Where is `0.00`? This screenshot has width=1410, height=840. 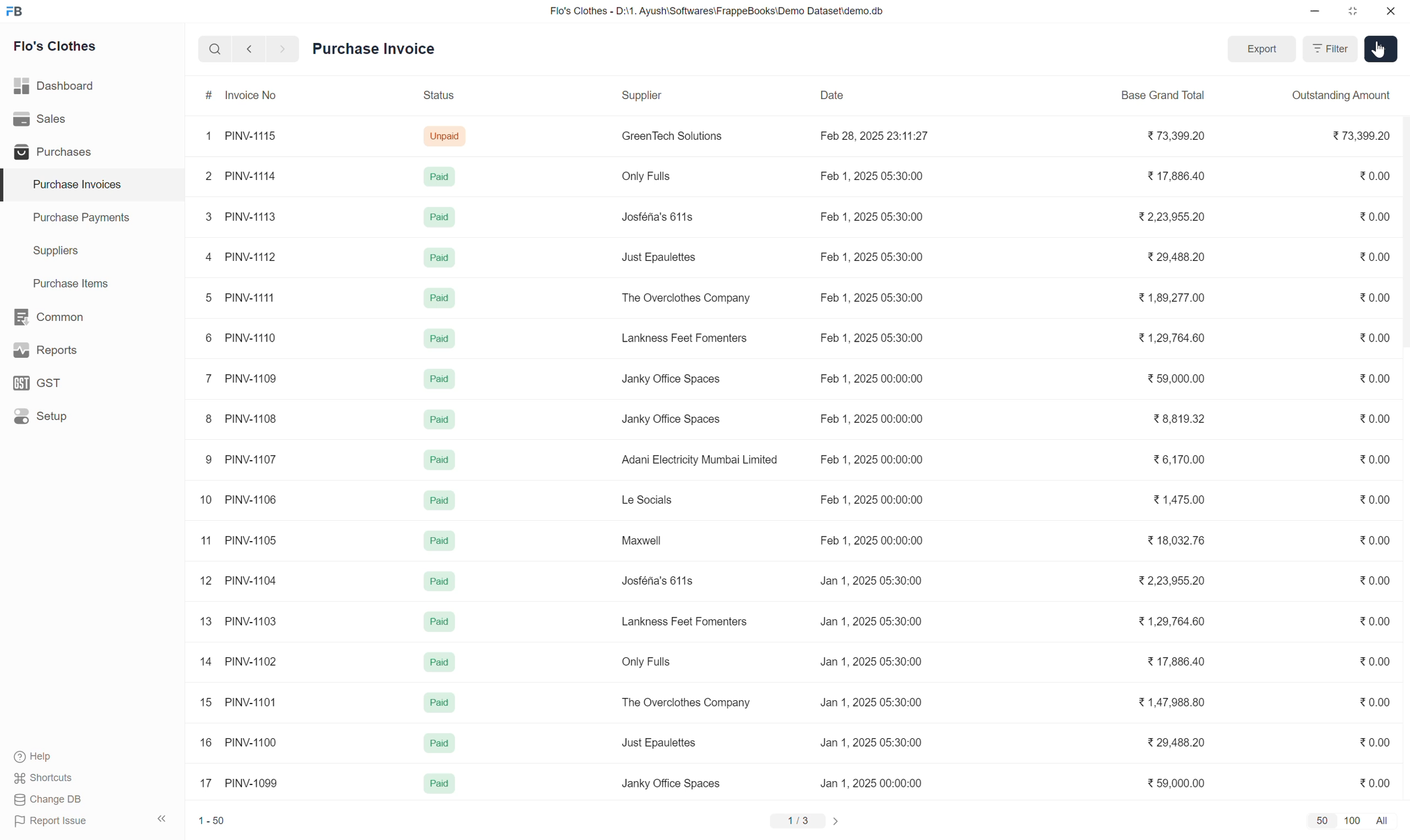
0.00 is located at coordinates (1372, 213).